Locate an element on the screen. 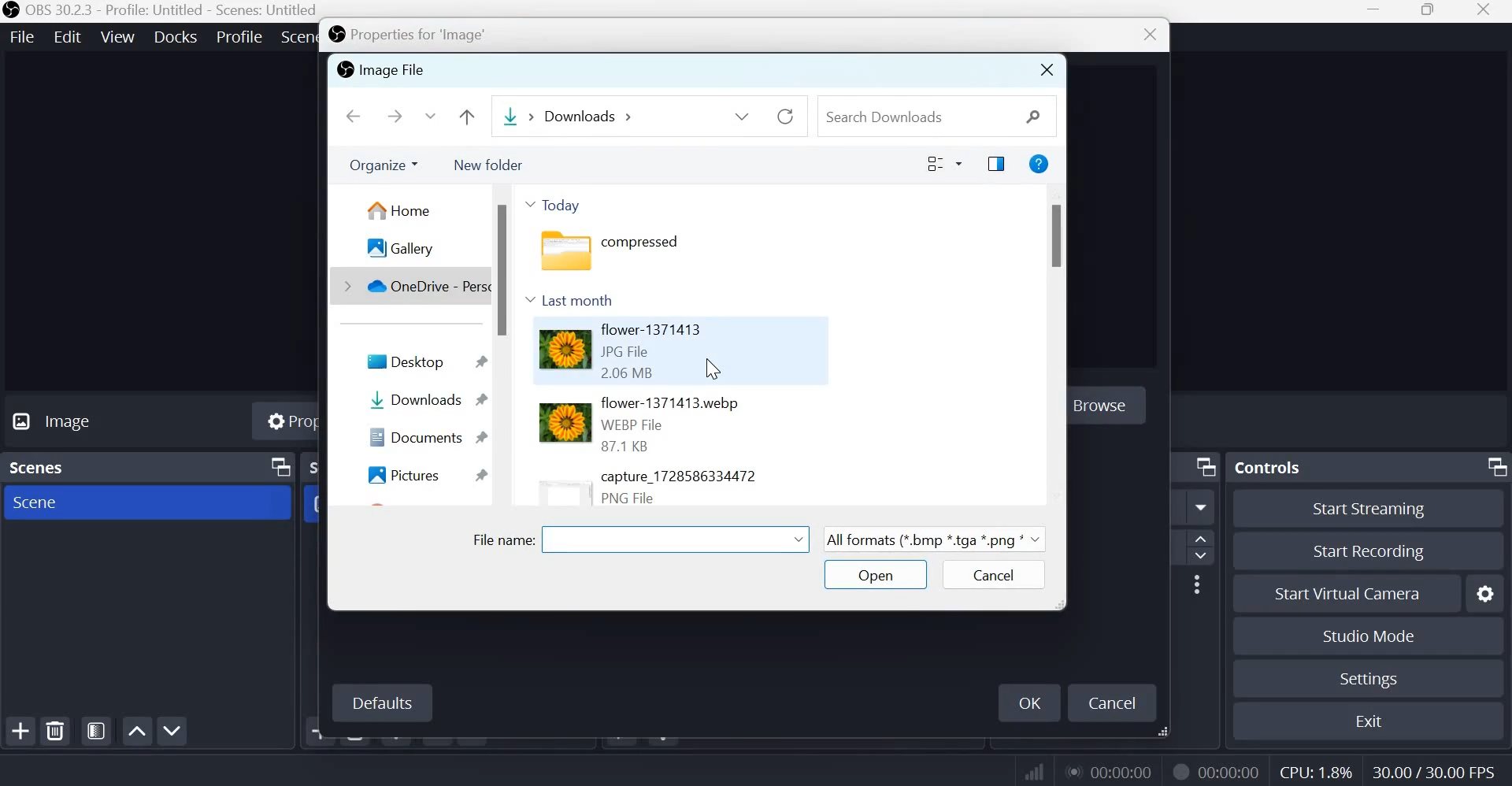 The height and width of the screenshot is (786, 1512). forward is located at coordinates (395, 117).